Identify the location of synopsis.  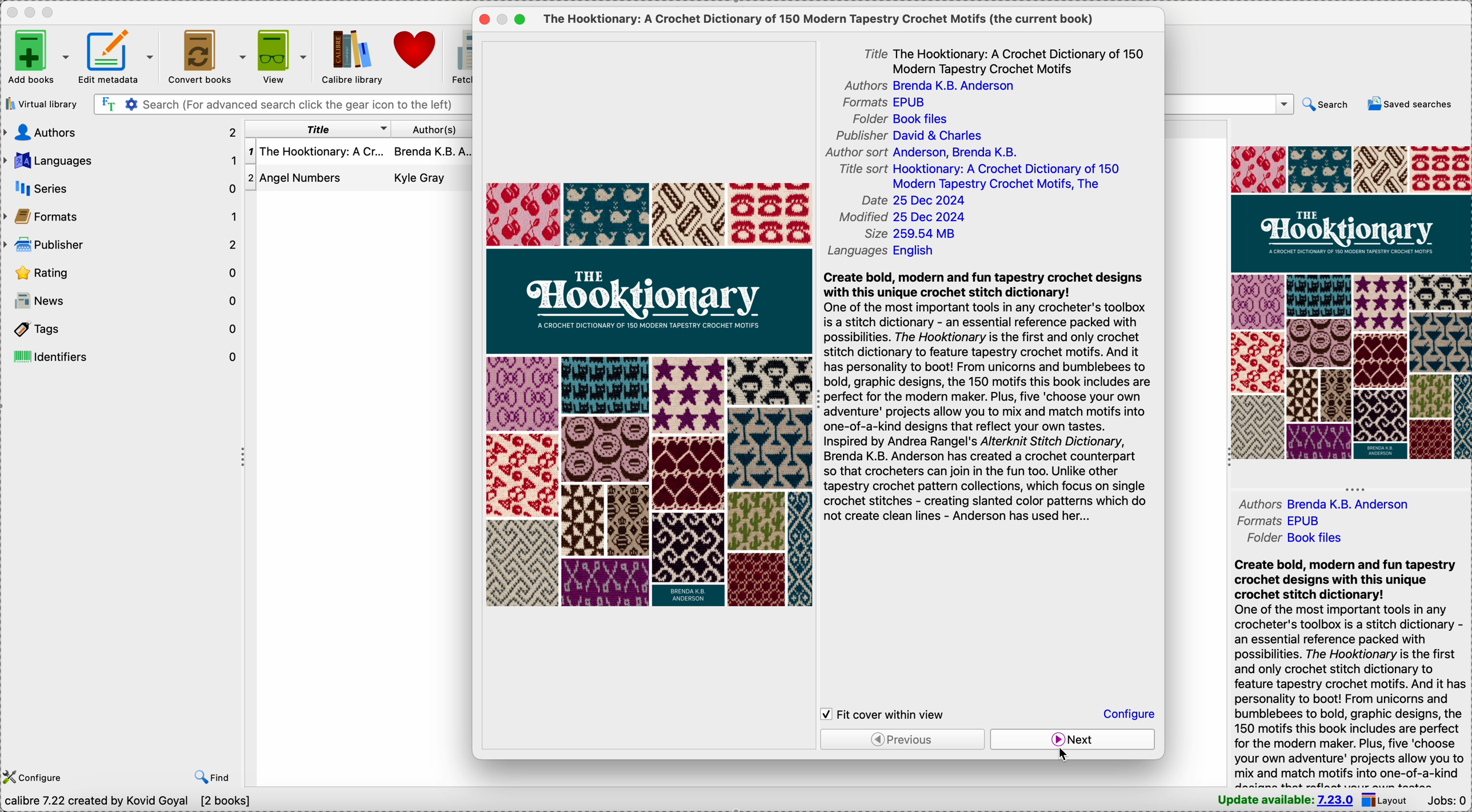
(1350, 671).